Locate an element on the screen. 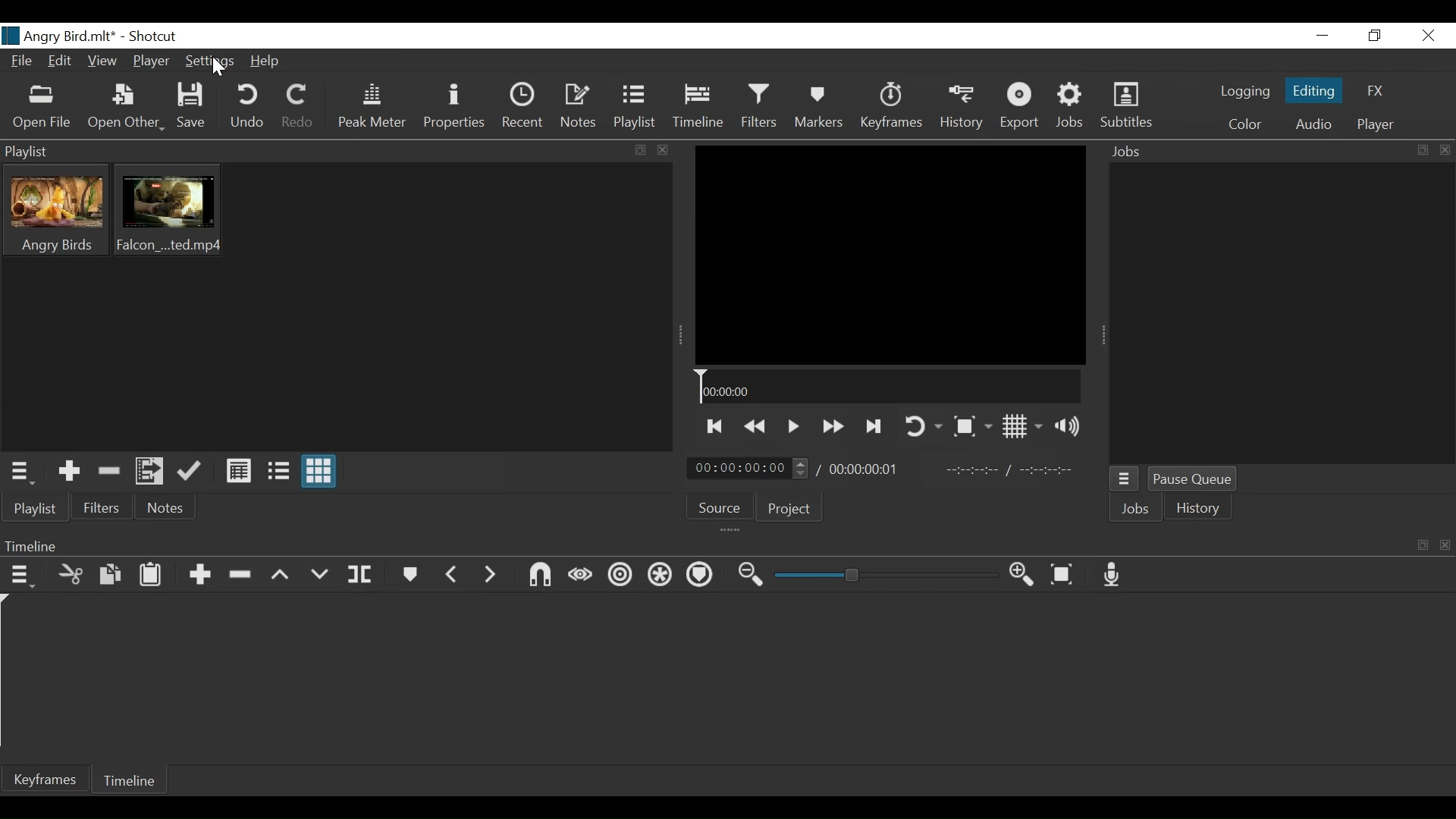  Audio is located at coordinates (1316, 124).